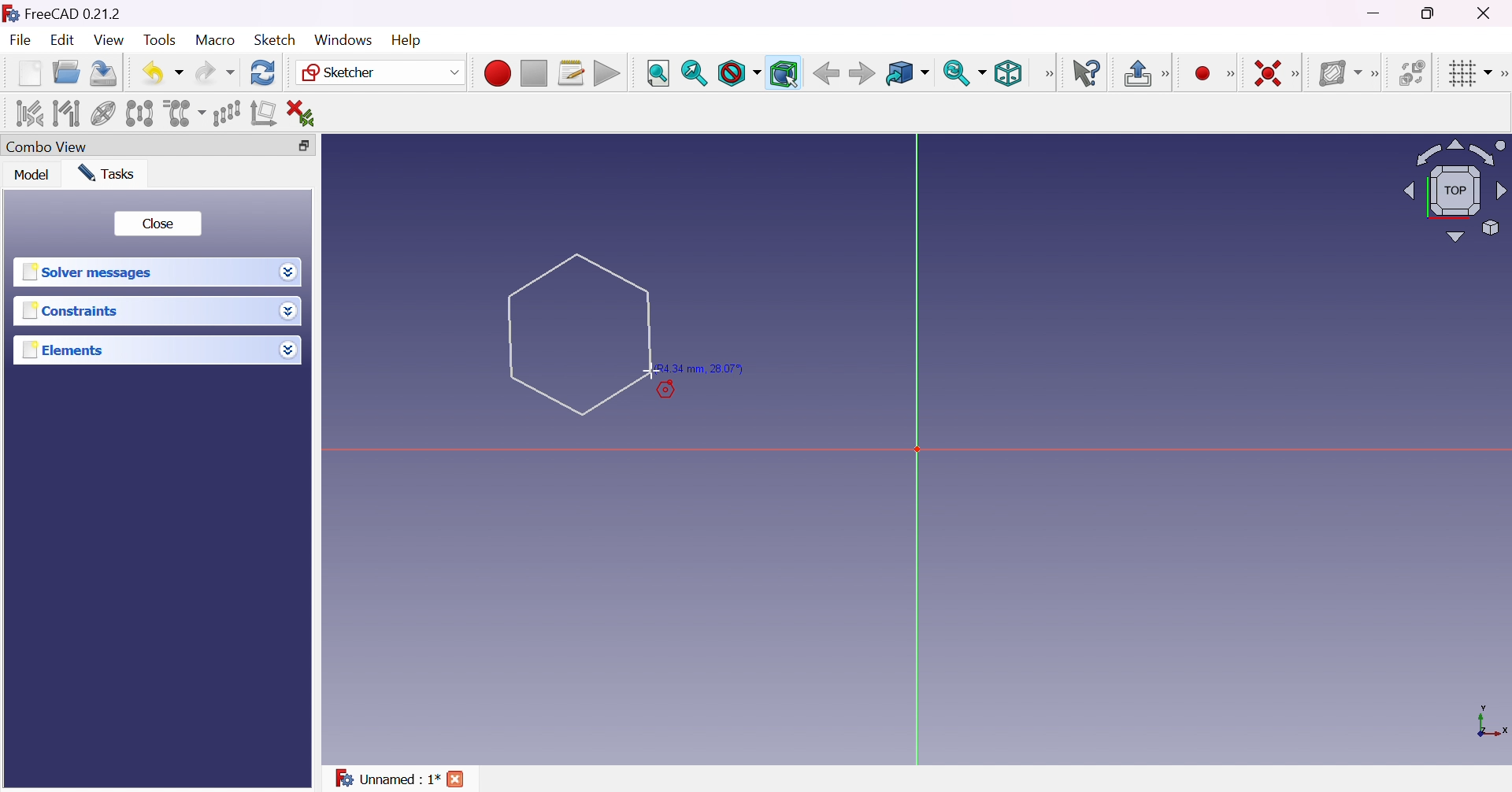  What do you see at coordinates (1488, 12) in the screenshot?
I see `Close` at bounding box center [1488, 12].